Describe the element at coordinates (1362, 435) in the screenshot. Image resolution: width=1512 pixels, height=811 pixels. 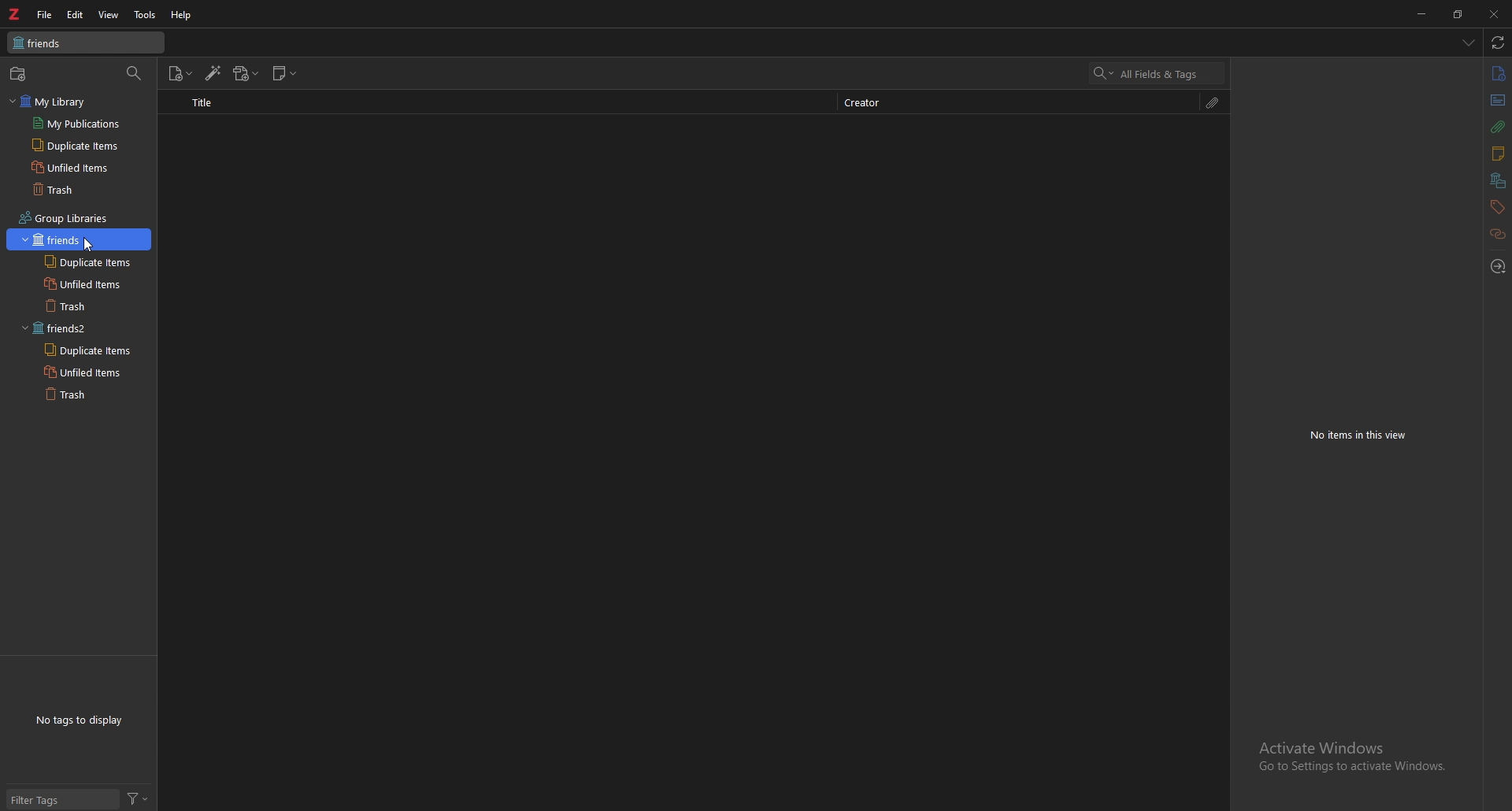
I see `No items in this view` at that location.